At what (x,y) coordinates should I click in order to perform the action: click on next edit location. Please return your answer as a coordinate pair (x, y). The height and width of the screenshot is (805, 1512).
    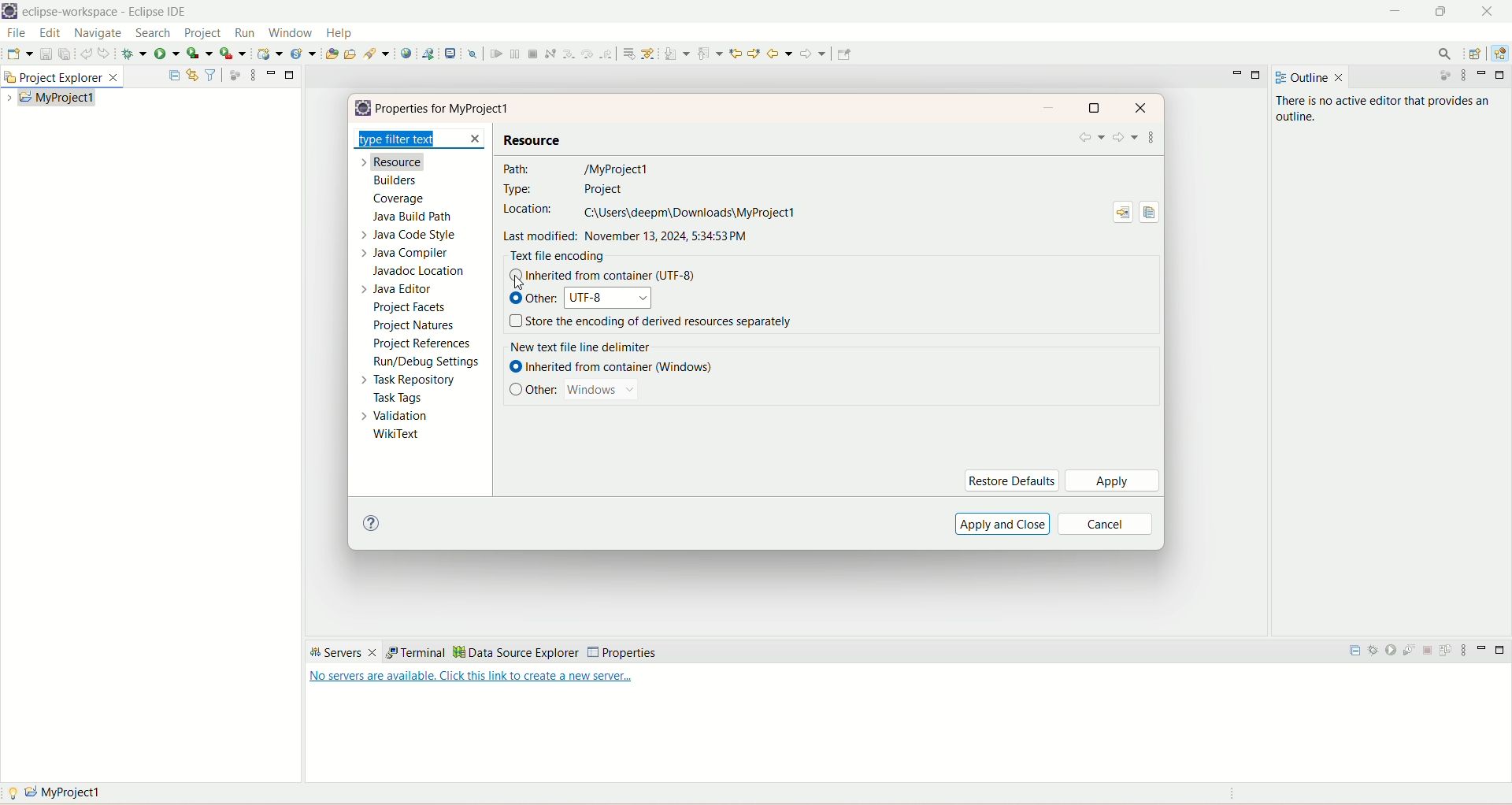
    Looking at the image, I should click on (736, 54).